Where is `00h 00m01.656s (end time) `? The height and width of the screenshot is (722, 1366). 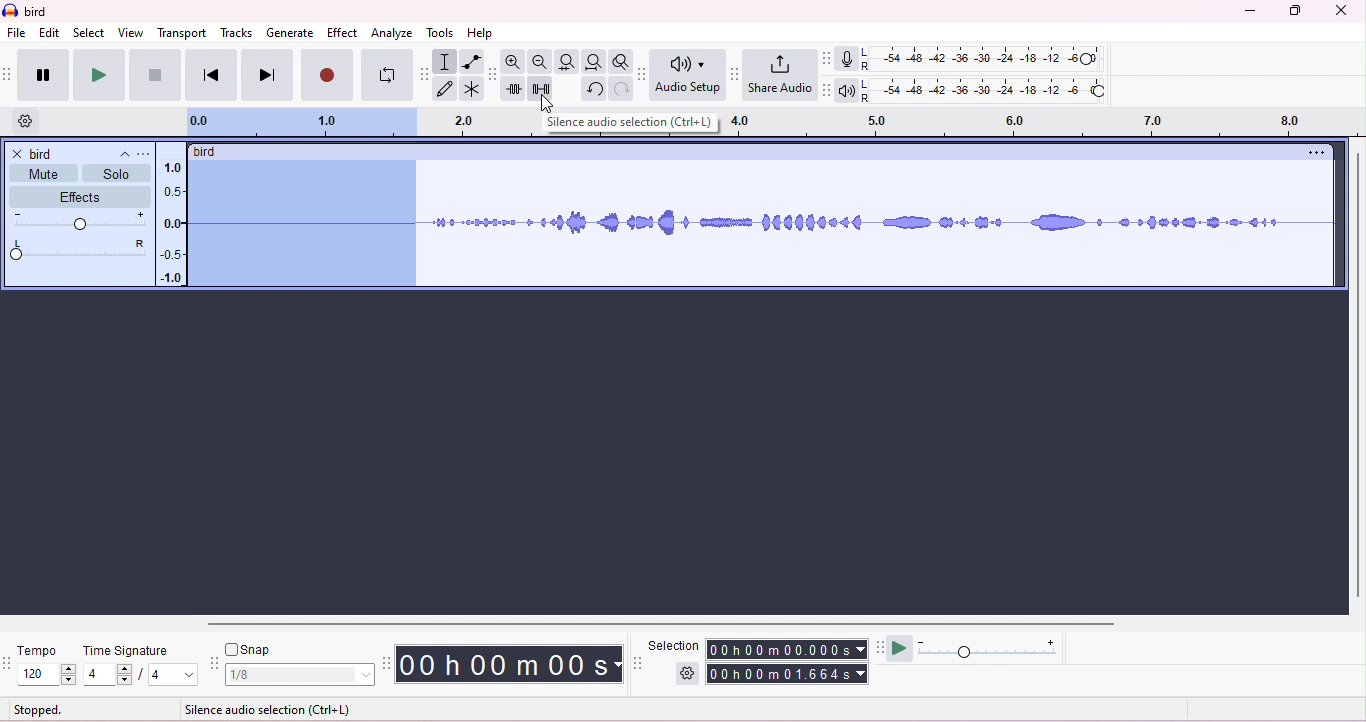
00h 00m01.656s (end time)  is located at coordinates (784, 674).